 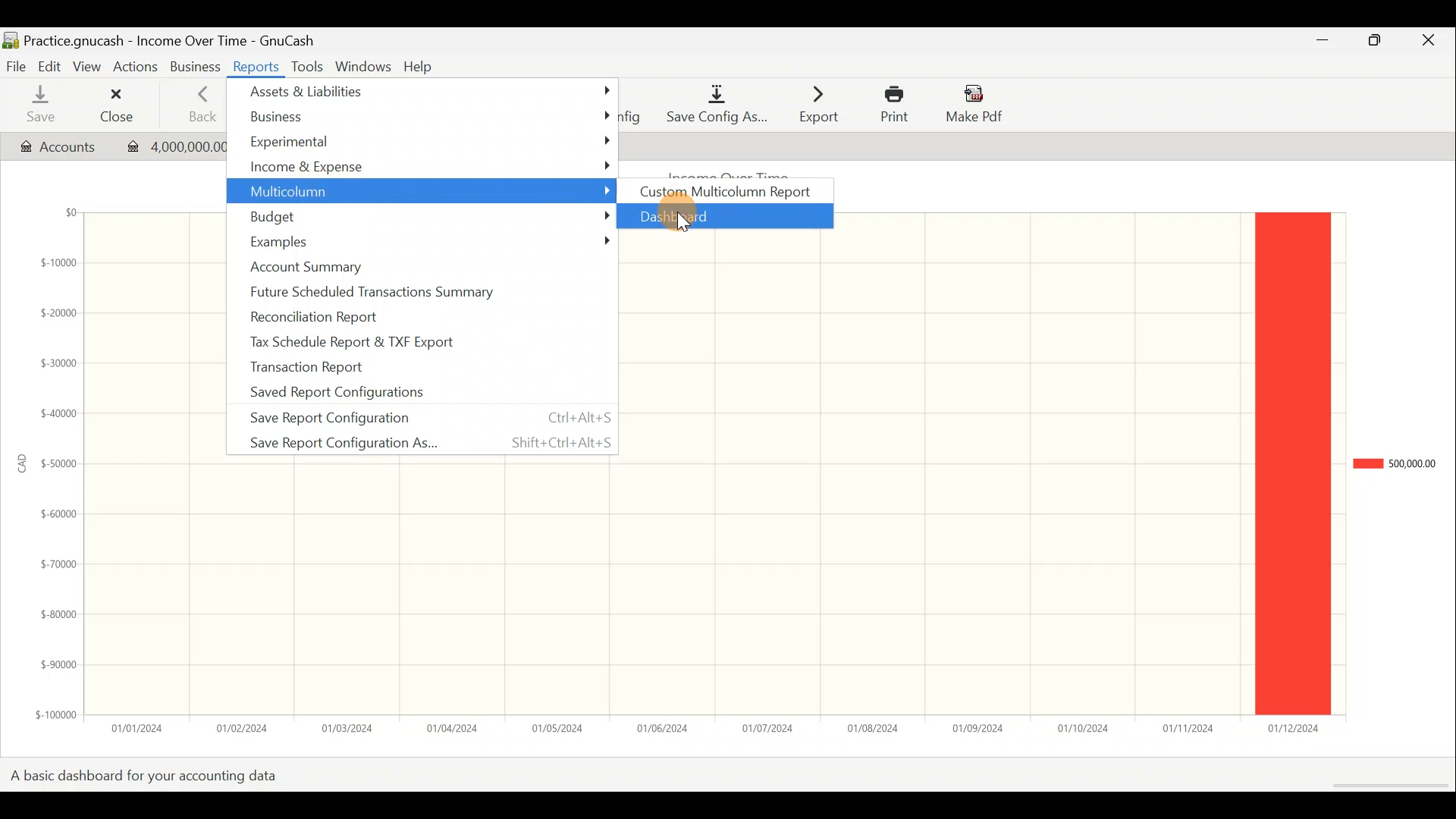 I want to click on Business, so click(x=197, y=68).